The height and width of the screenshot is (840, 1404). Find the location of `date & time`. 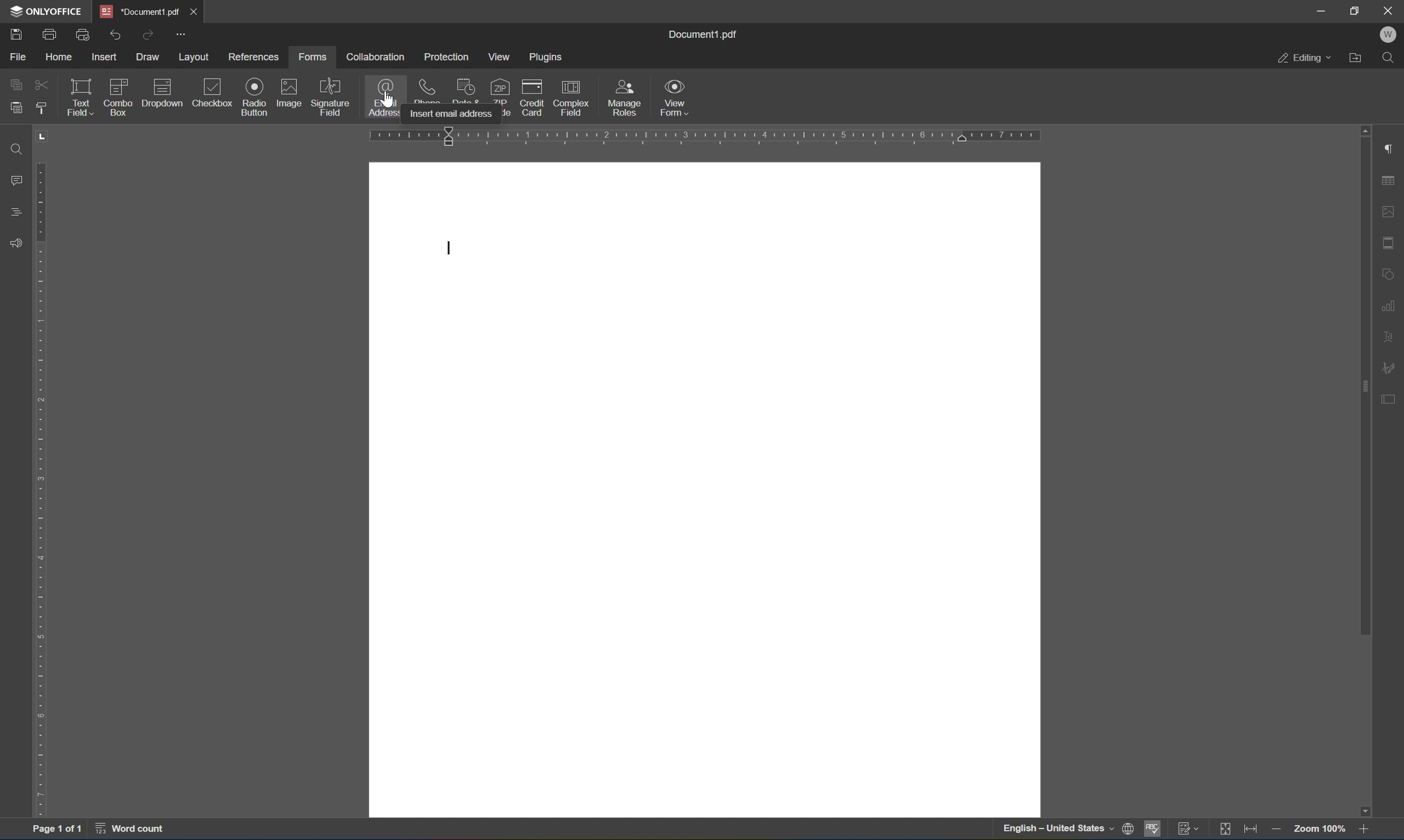

date & time is located at coordinates (465, 87).